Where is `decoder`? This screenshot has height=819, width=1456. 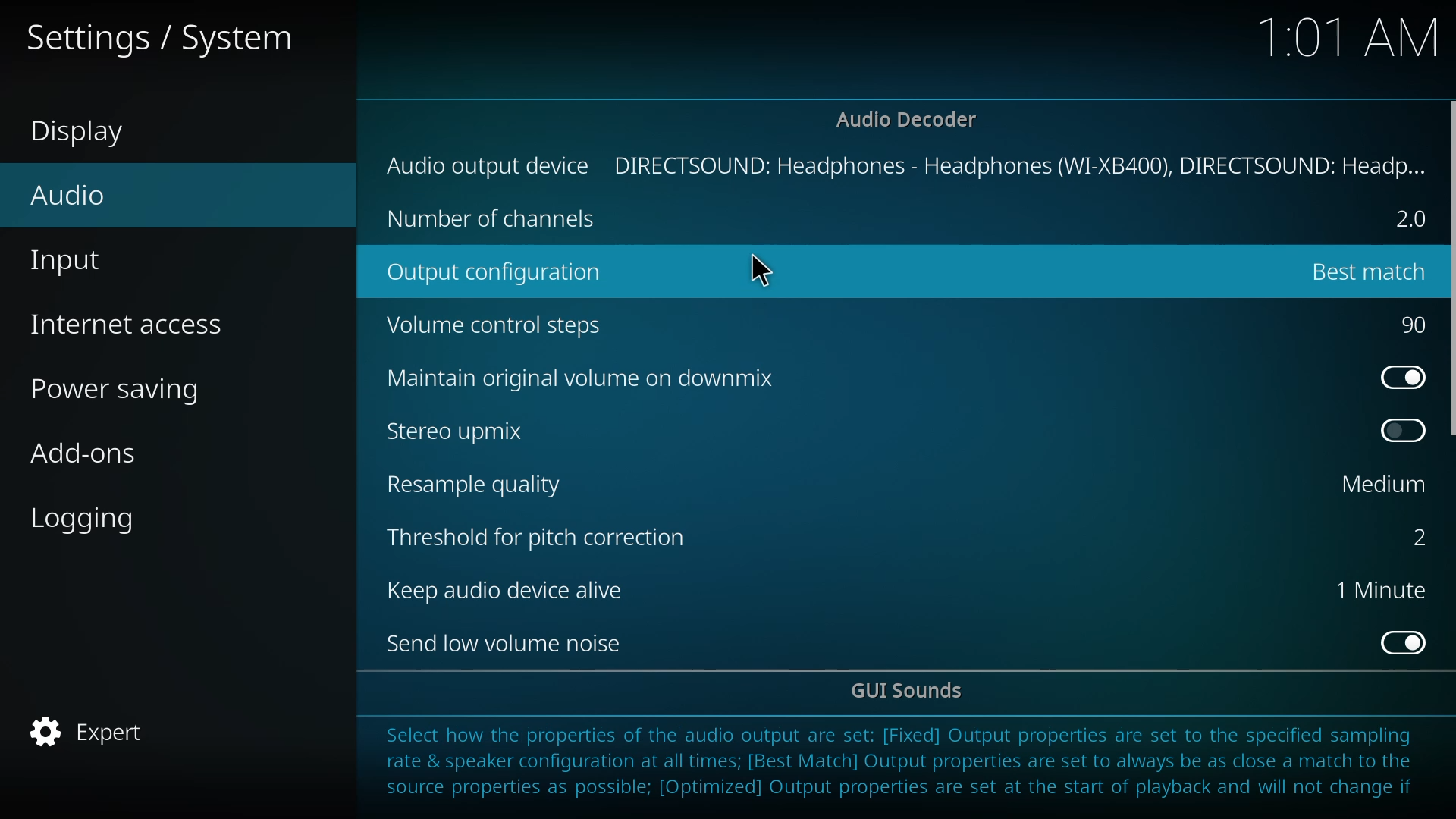
decoder is located at coordinates (902, 117).